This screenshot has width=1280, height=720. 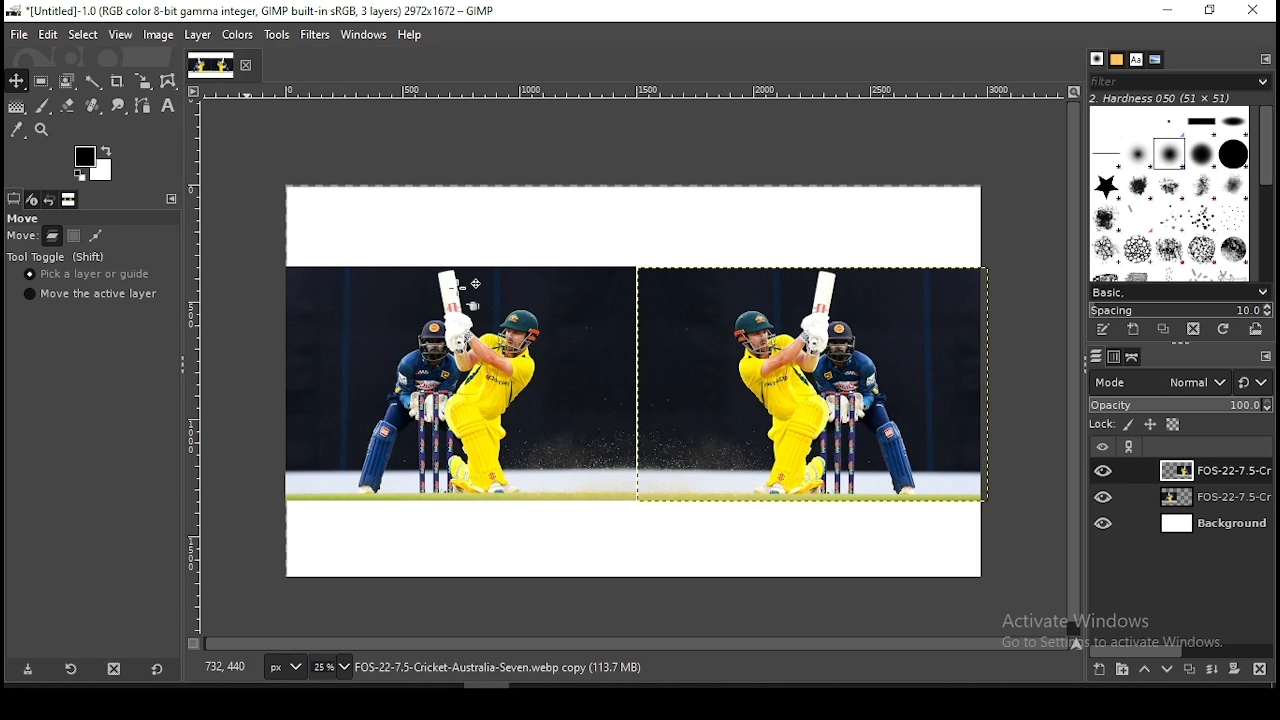 What do you see at coordinates (159, 668) in the screenshot?
I see `restore to defaults` at bounding box center [159, 668].